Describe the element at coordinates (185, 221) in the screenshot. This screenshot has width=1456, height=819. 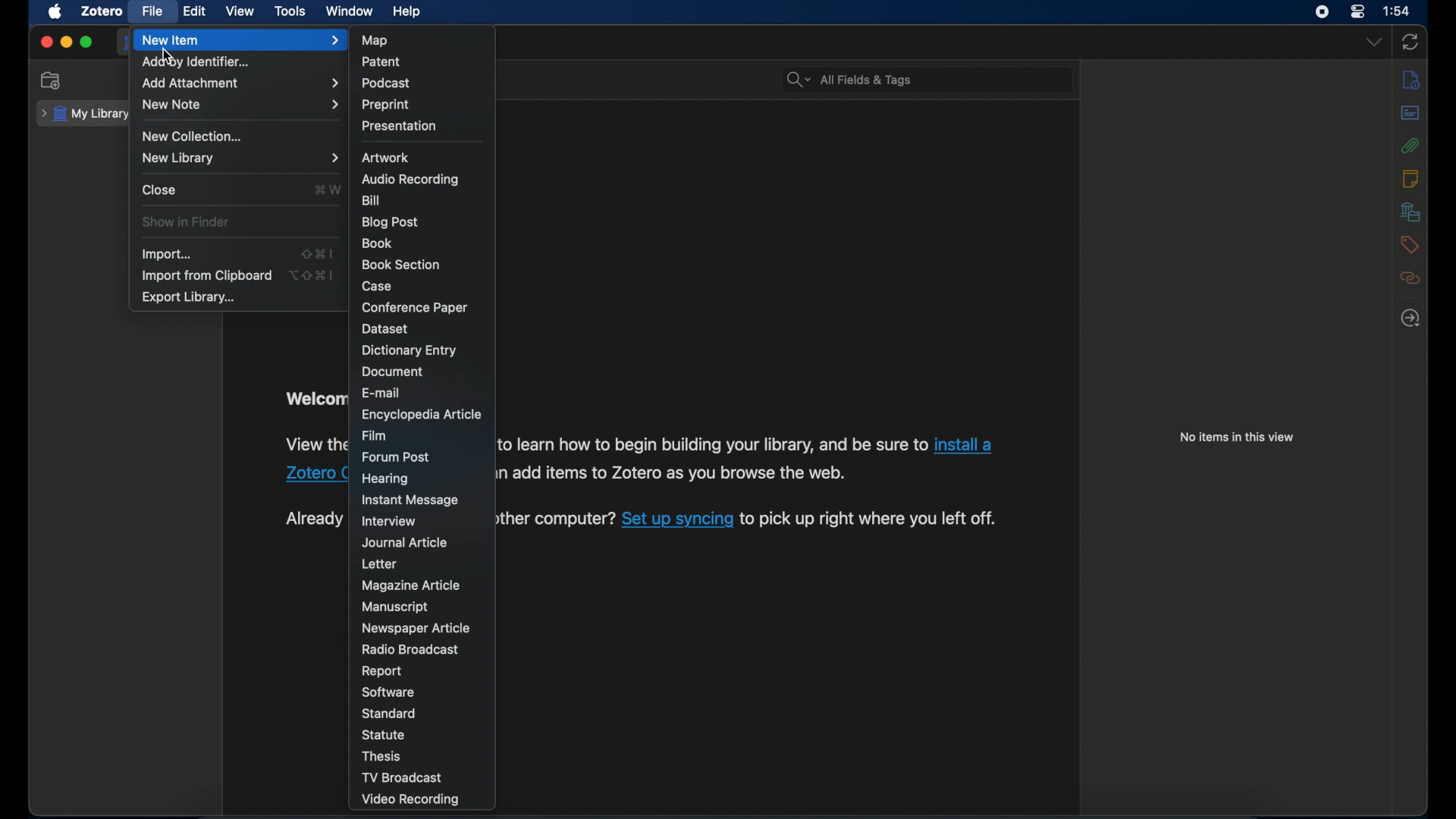
I see `show in finder` at that location.